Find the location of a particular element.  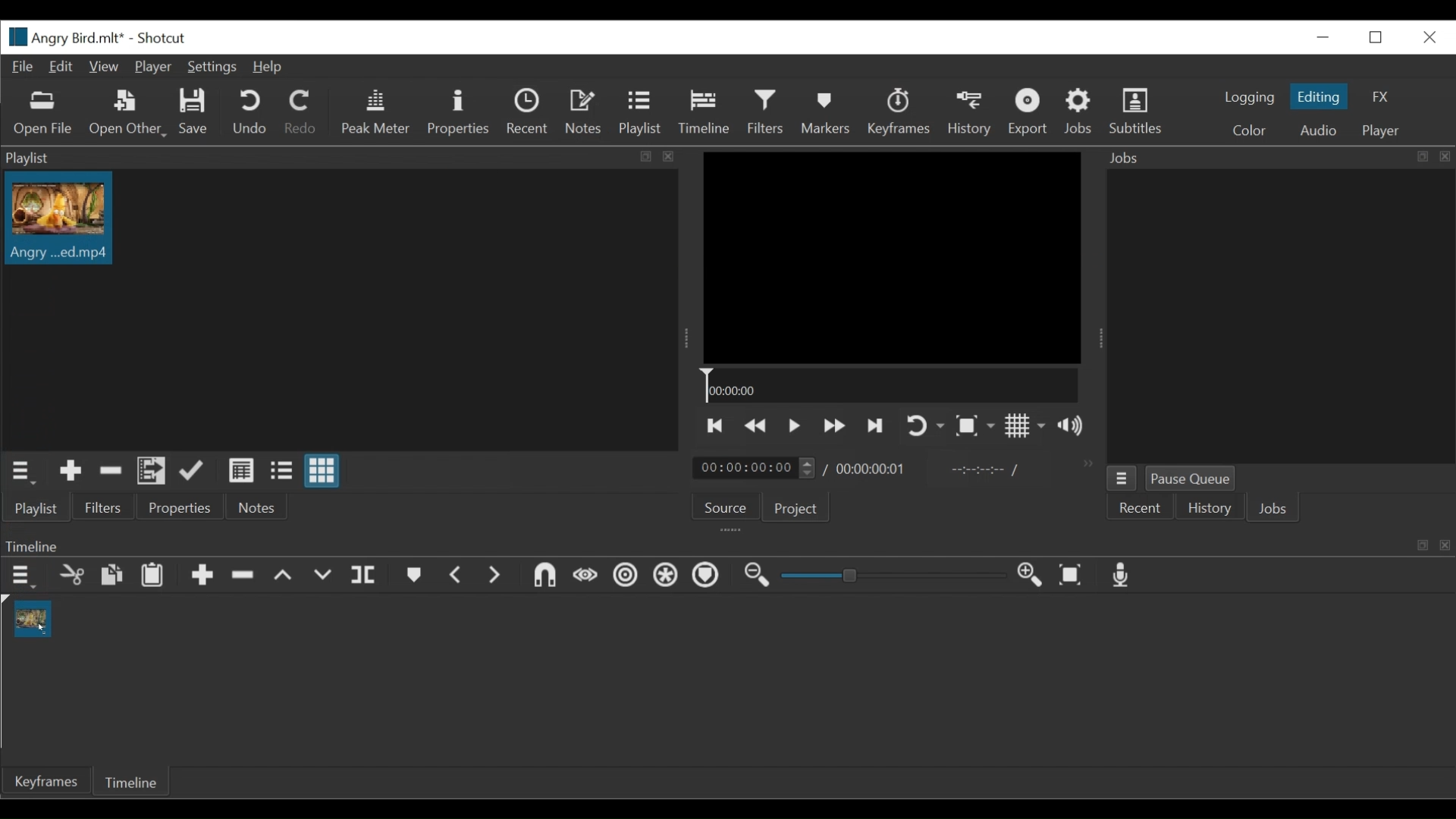

record audio is located at coordinates (1125, 576).